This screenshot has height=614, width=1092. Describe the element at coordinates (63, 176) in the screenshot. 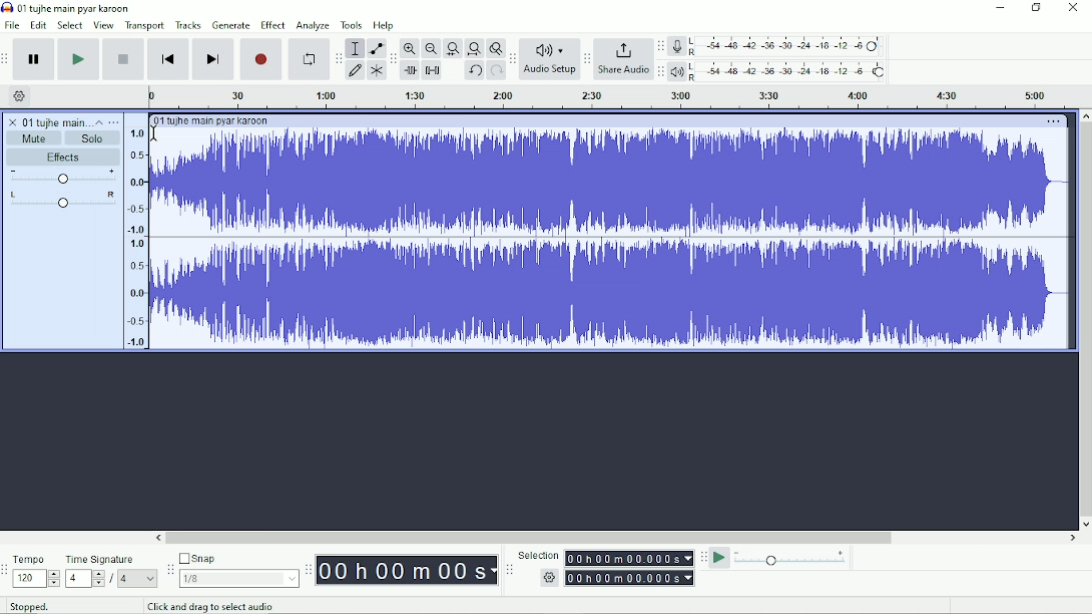

I see `Volume` at that location.